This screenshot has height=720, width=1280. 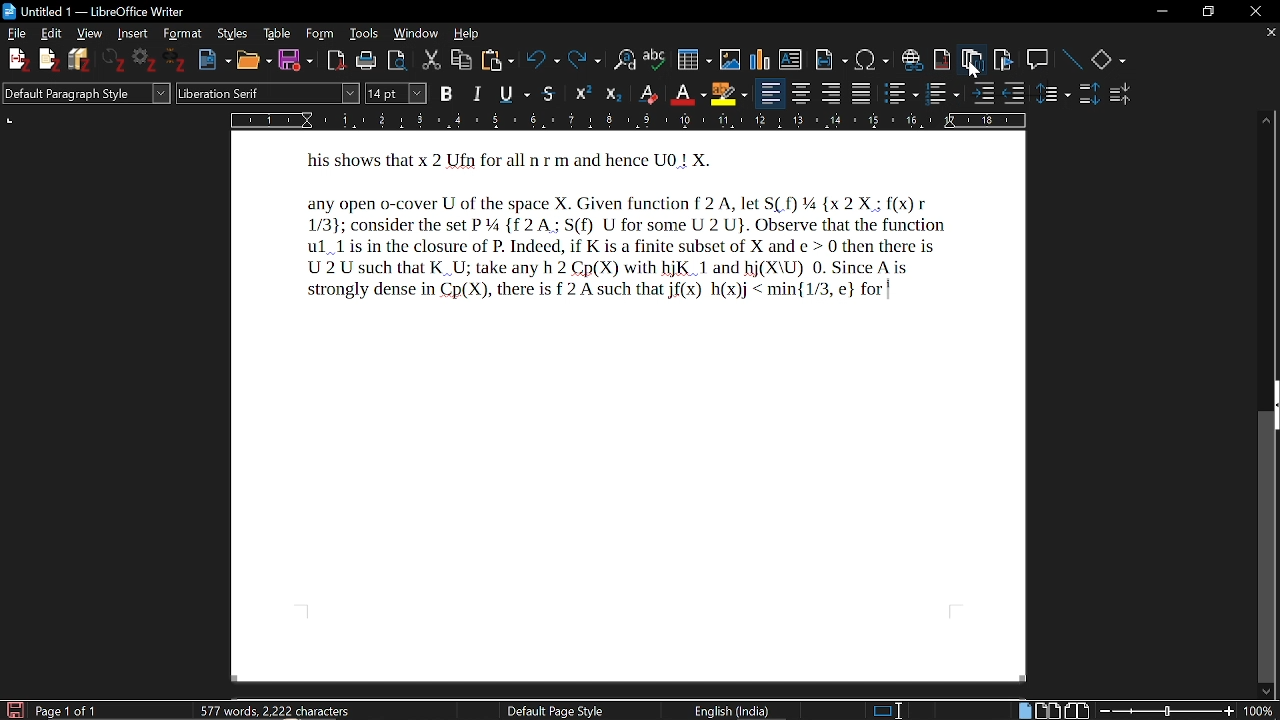 What do you see at coordinates (890, 711) in the screenshot?
I see `standard selection` at bounding box center [890, 711].